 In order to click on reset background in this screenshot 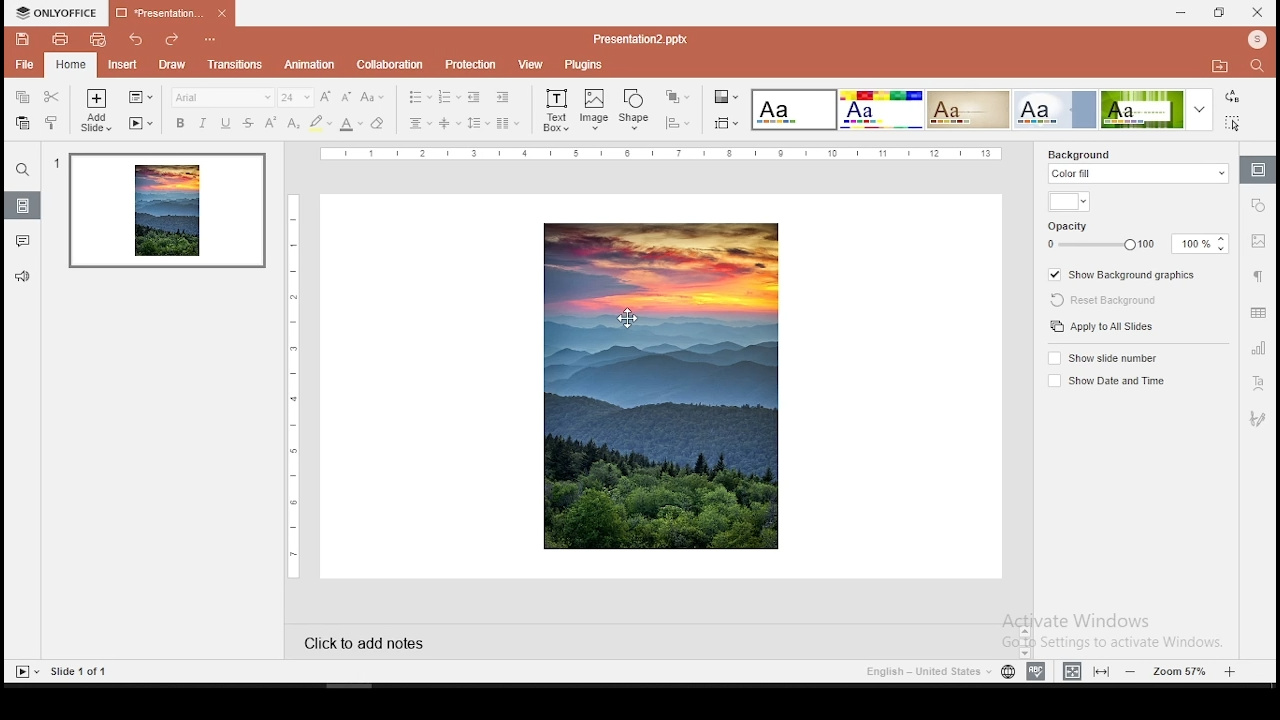, I will do `click(1104, 300)`.